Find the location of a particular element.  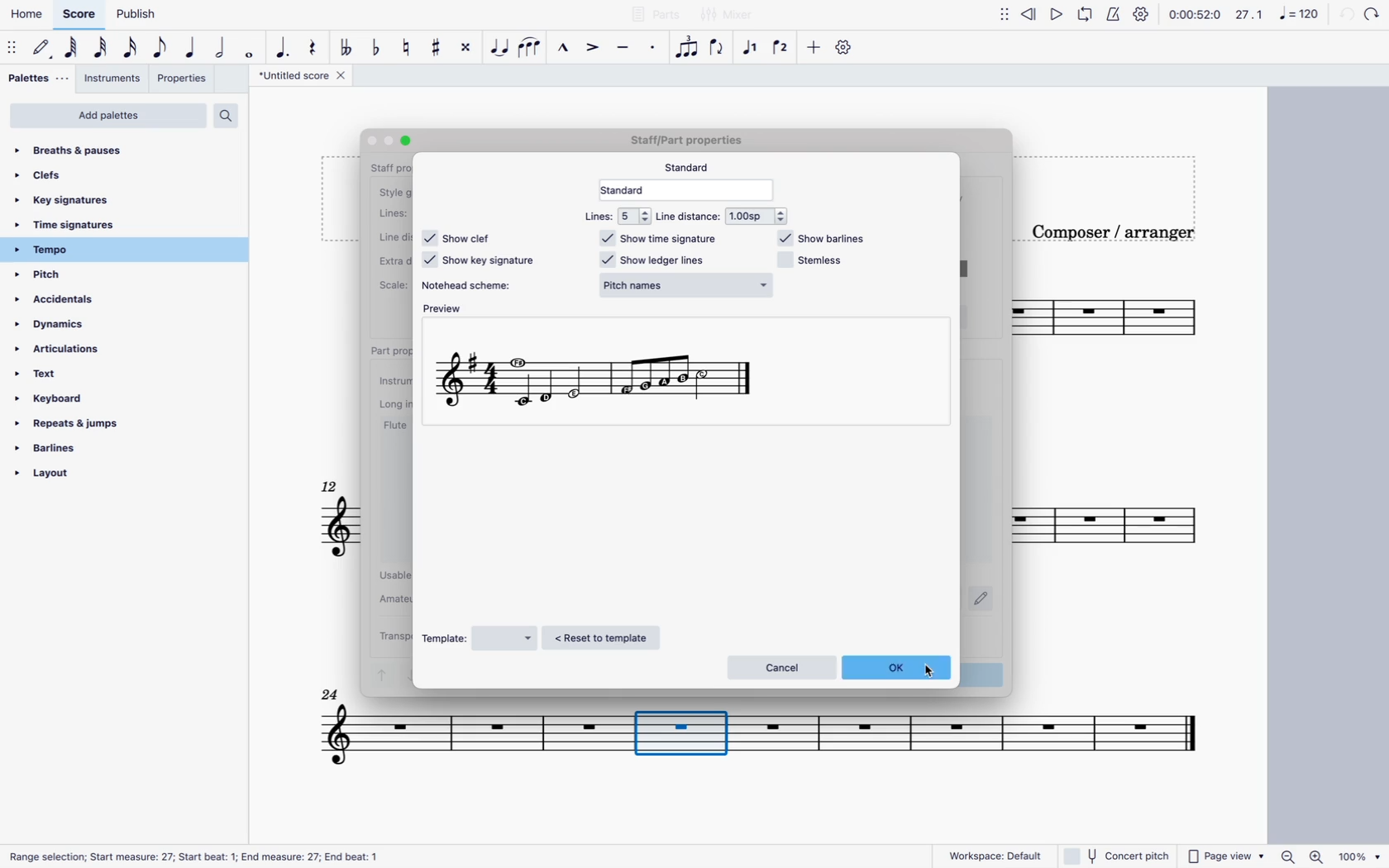

score title is located at coordinates (308, 77).